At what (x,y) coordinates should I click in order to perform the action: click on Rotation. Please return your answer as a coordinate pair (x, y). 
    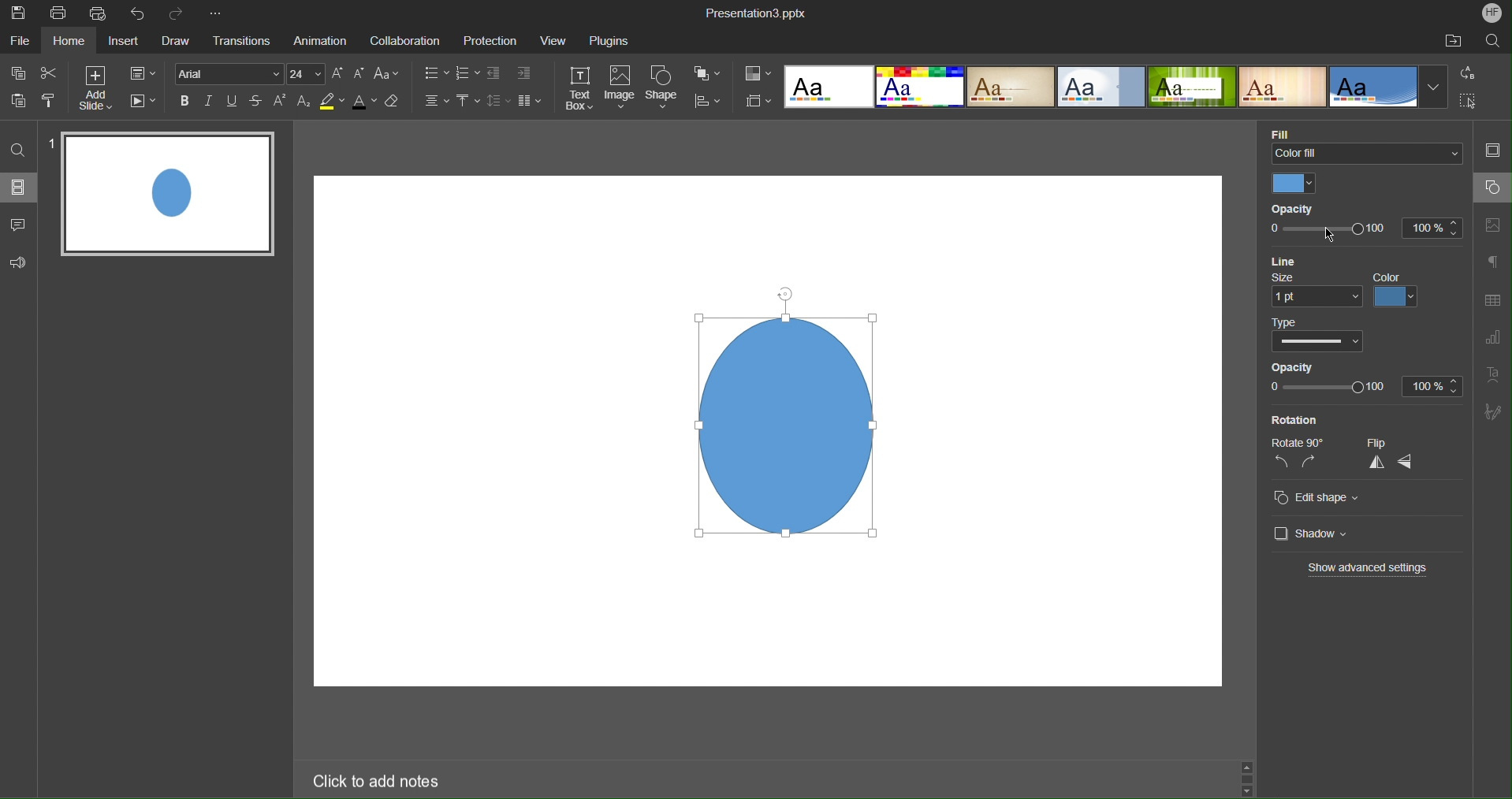
    Looking at the image, I should click on (1294, 420).